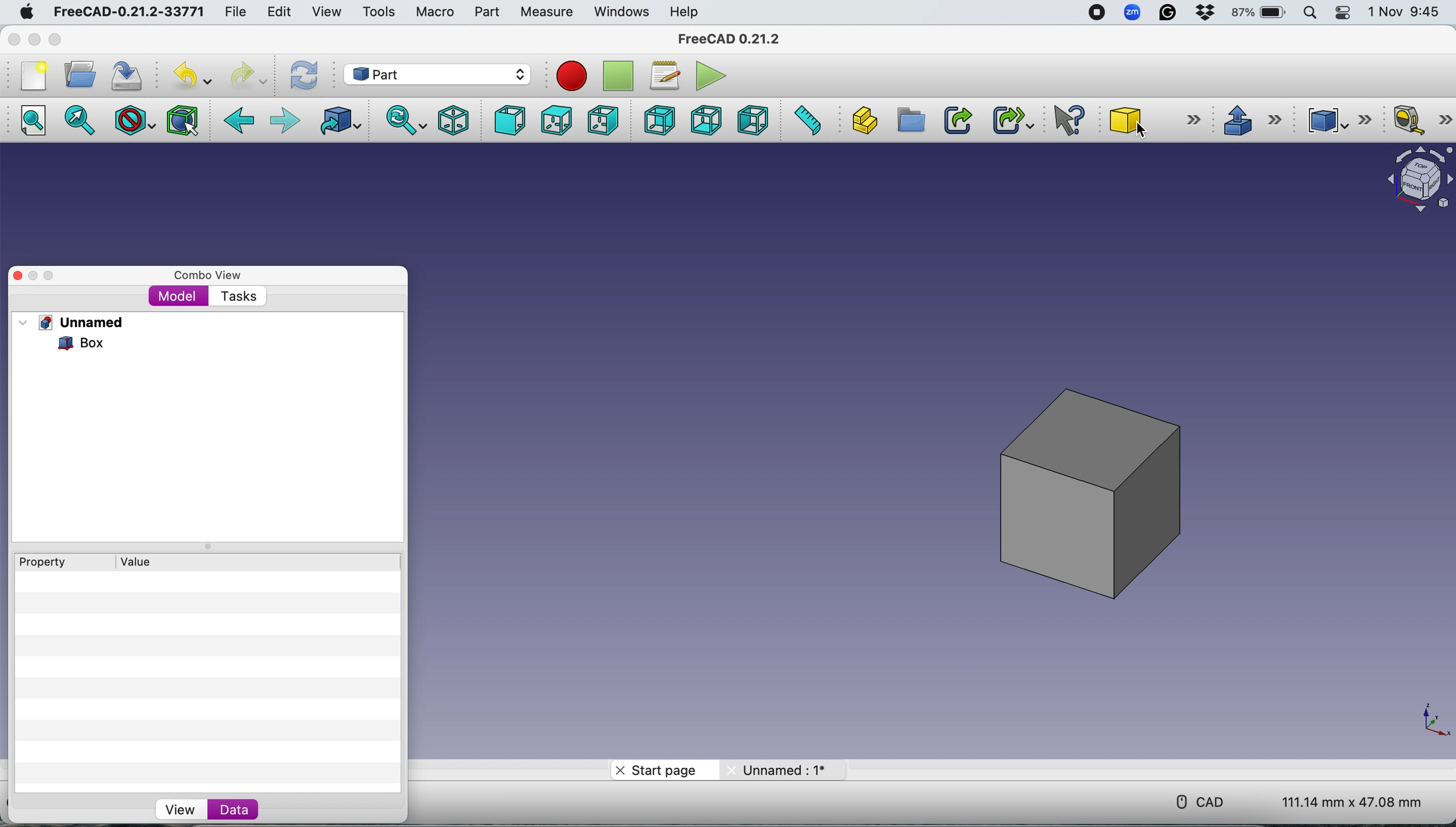  What do you see at coordinates (806, 119) in the screenshot?
I see `Measure distance` at bounding box center [806, 119].